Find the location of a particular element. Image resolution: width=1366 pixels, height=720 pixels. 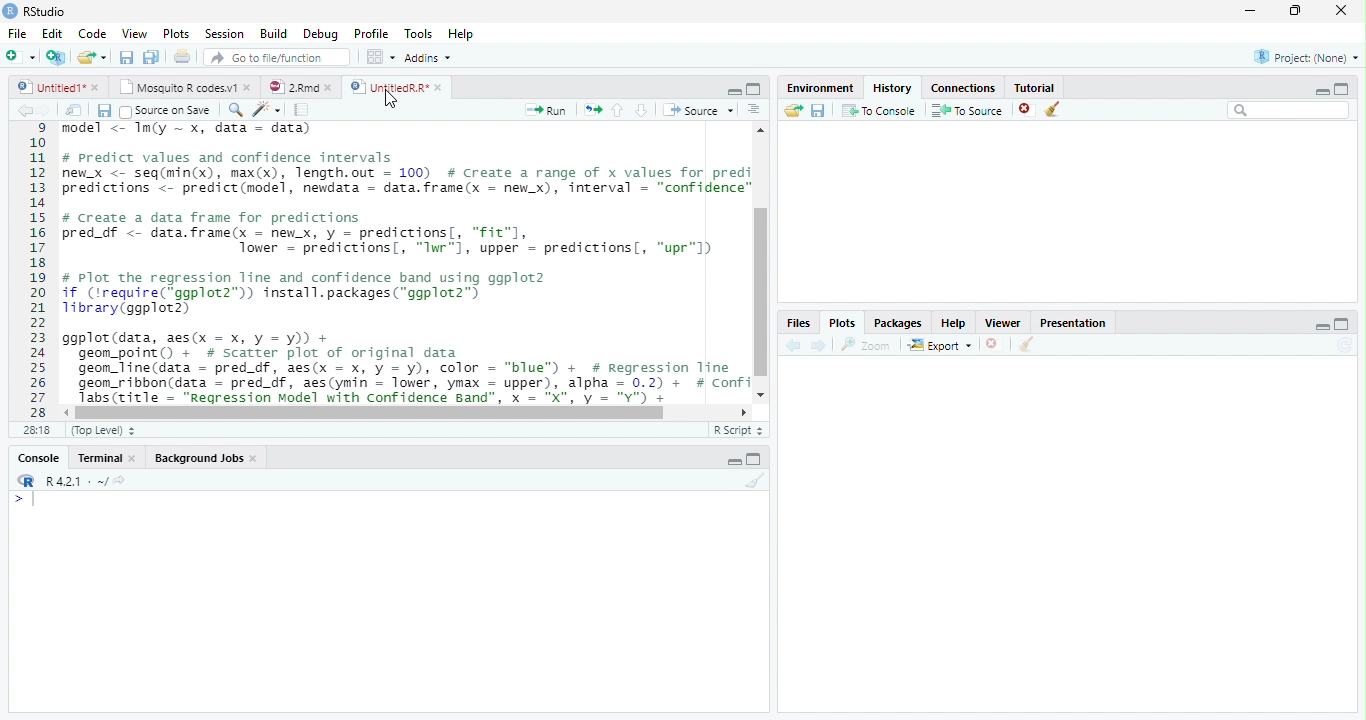

View is located at coordinates (134, 34).